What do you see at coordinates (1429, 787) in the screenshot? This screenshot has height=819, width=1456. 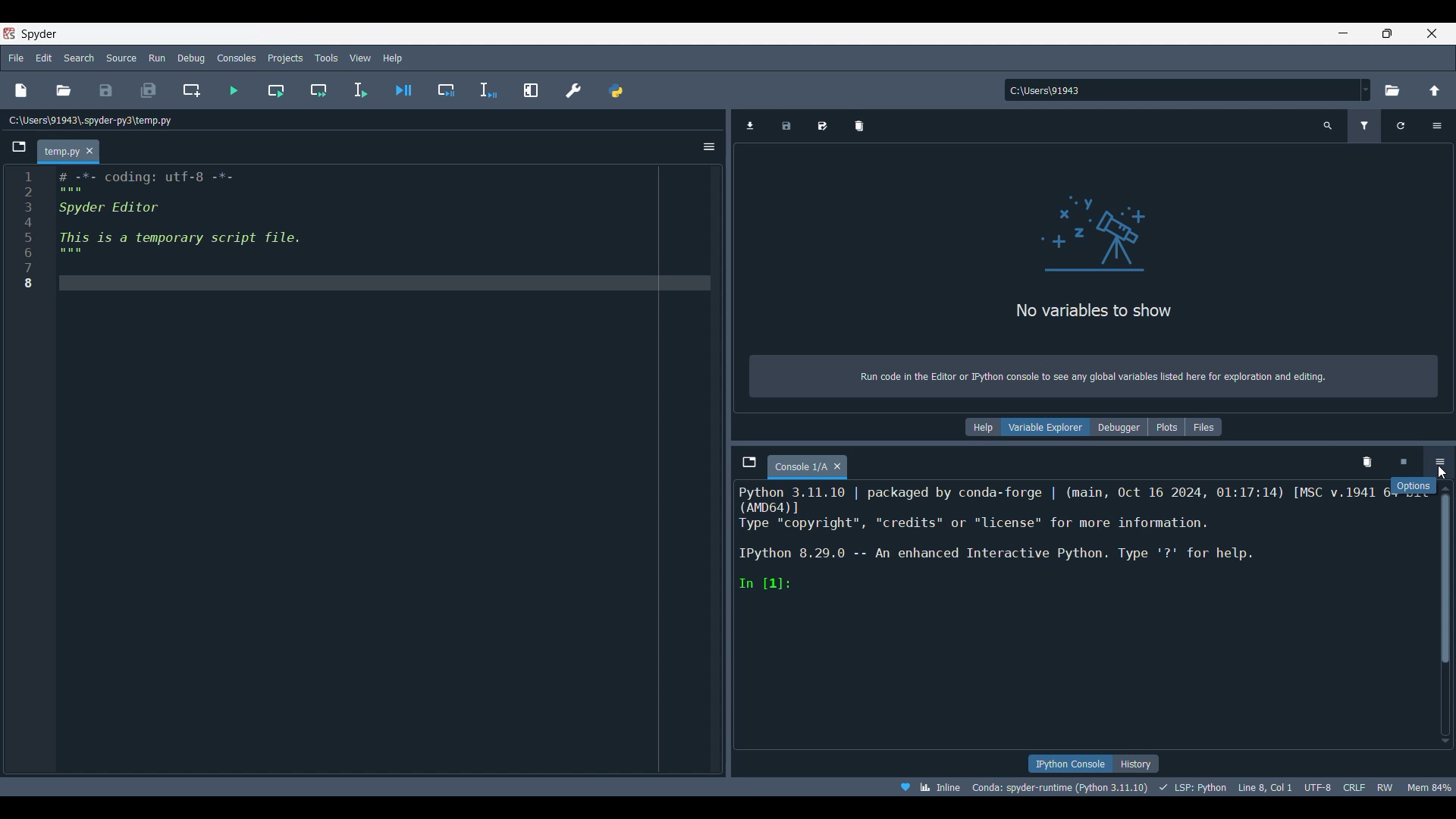 I see `Men` at bounding box center [1429, 787].